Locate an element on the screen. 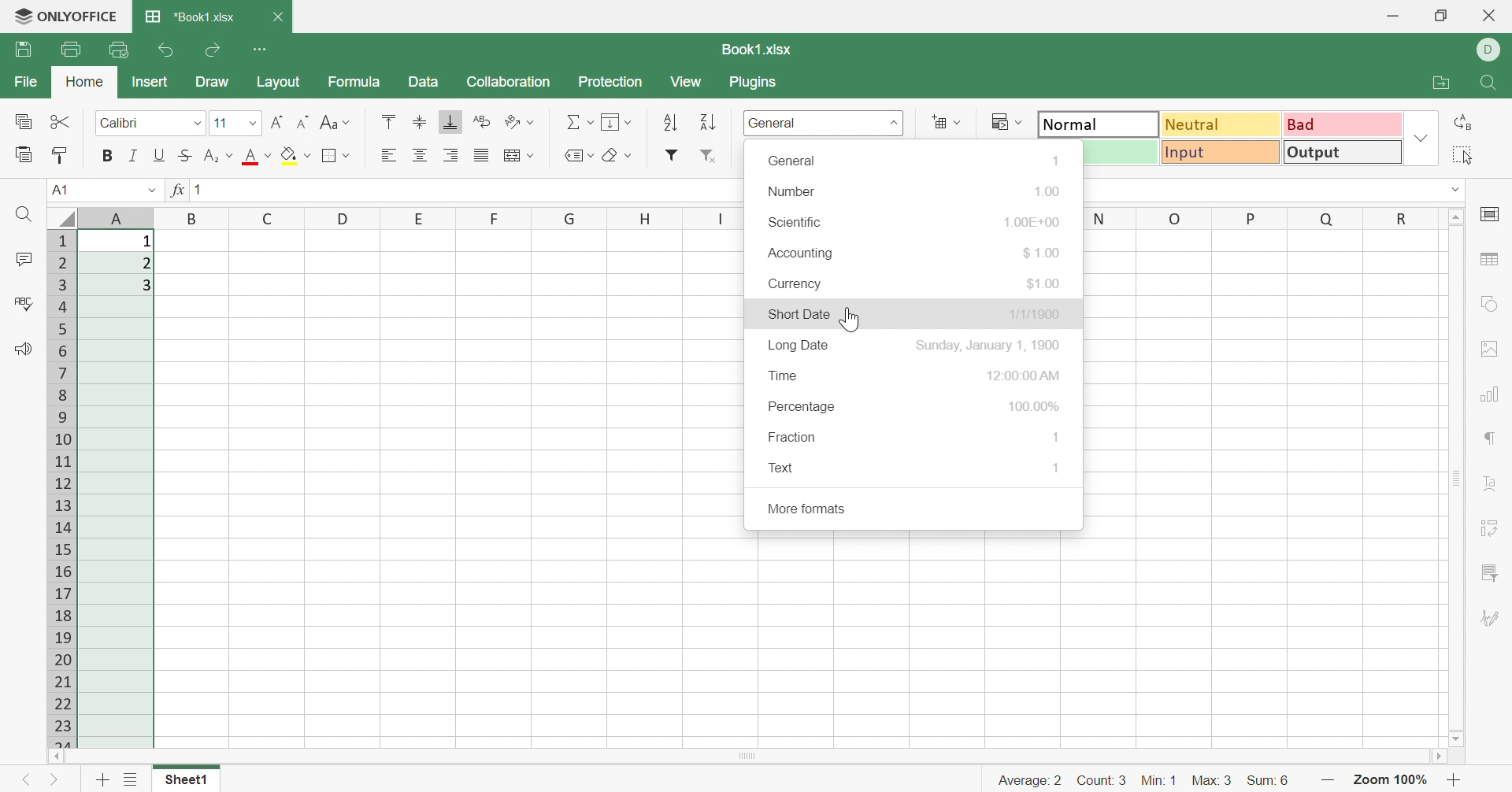 This screenshot has height=792, width=1512. Cursor is located at coordinates (853, 320).